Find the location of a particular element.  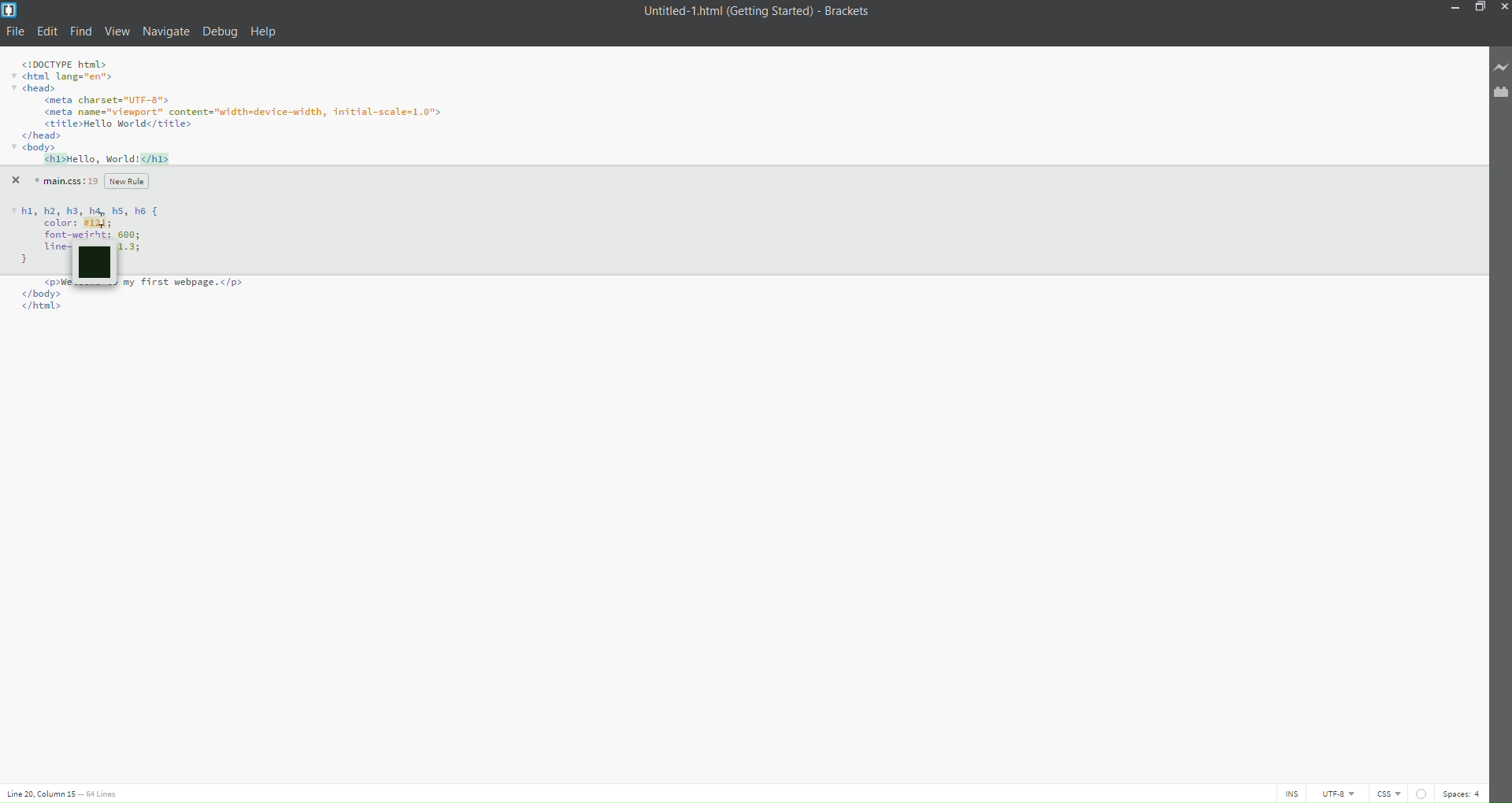

find is located at coordinates (80, 31).